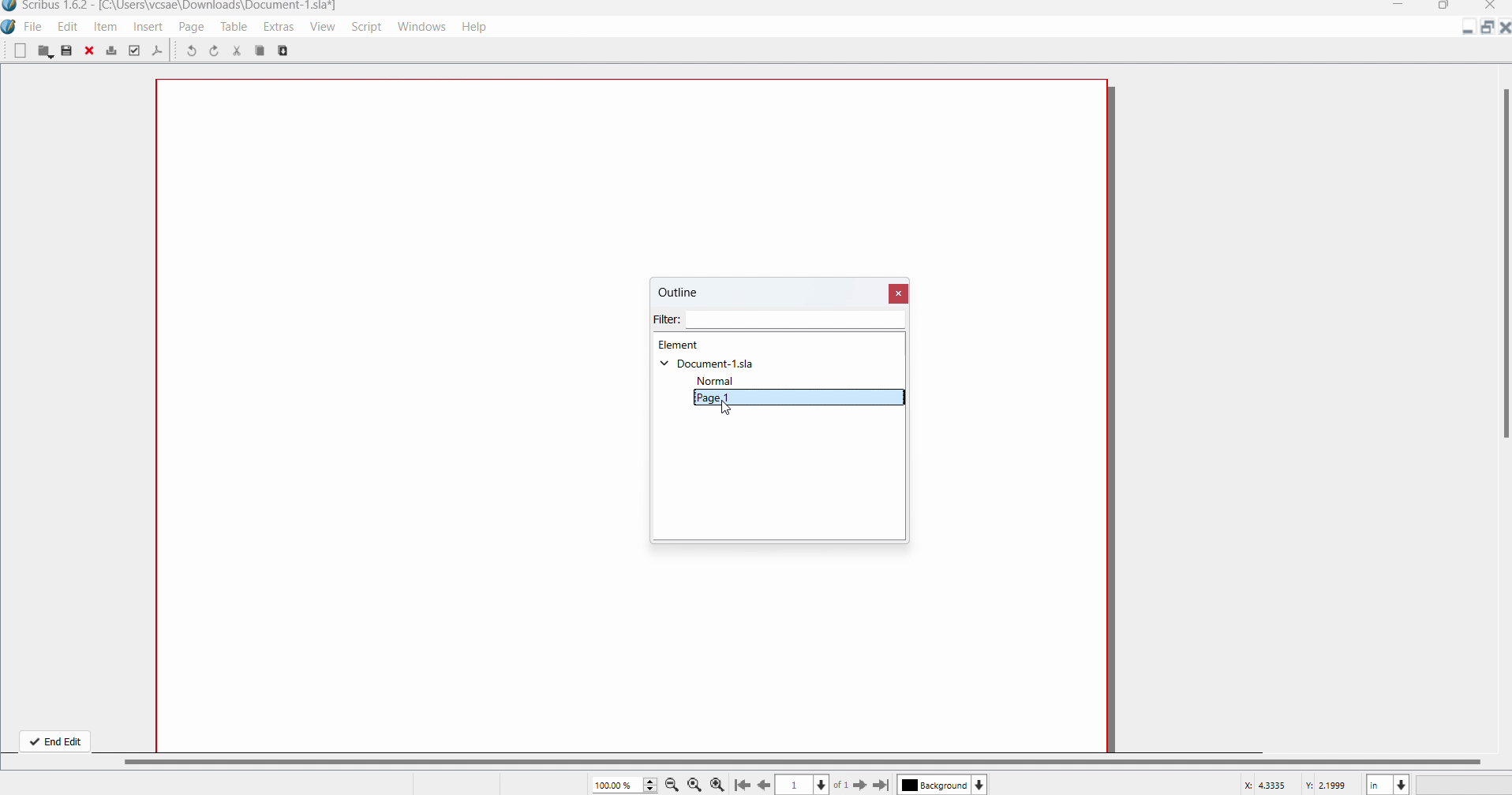 The image size is (1512, 795). I want to click on End Edit, so click(54, 739).